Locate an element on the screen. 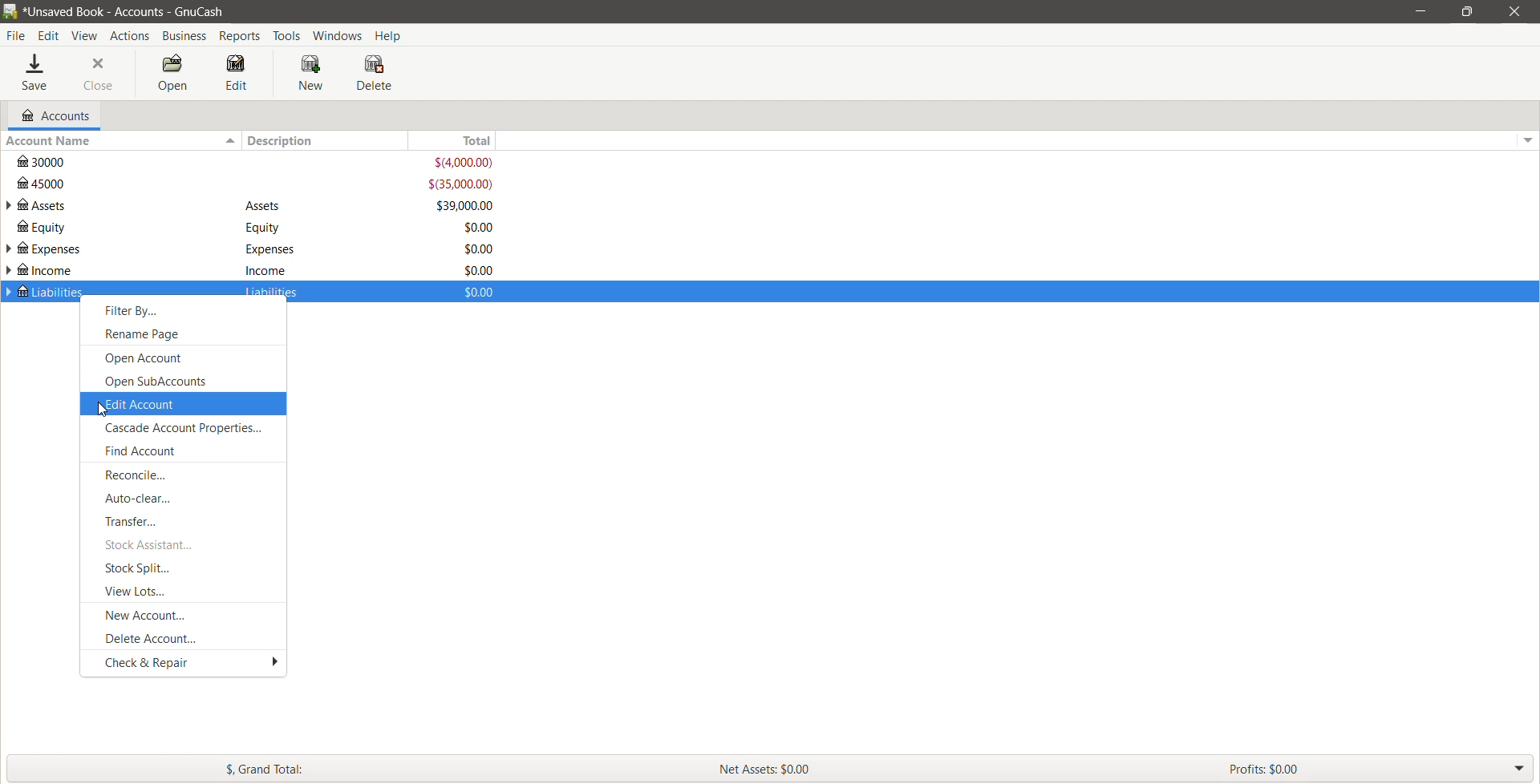  Tools is located at coordinates (287, 36).